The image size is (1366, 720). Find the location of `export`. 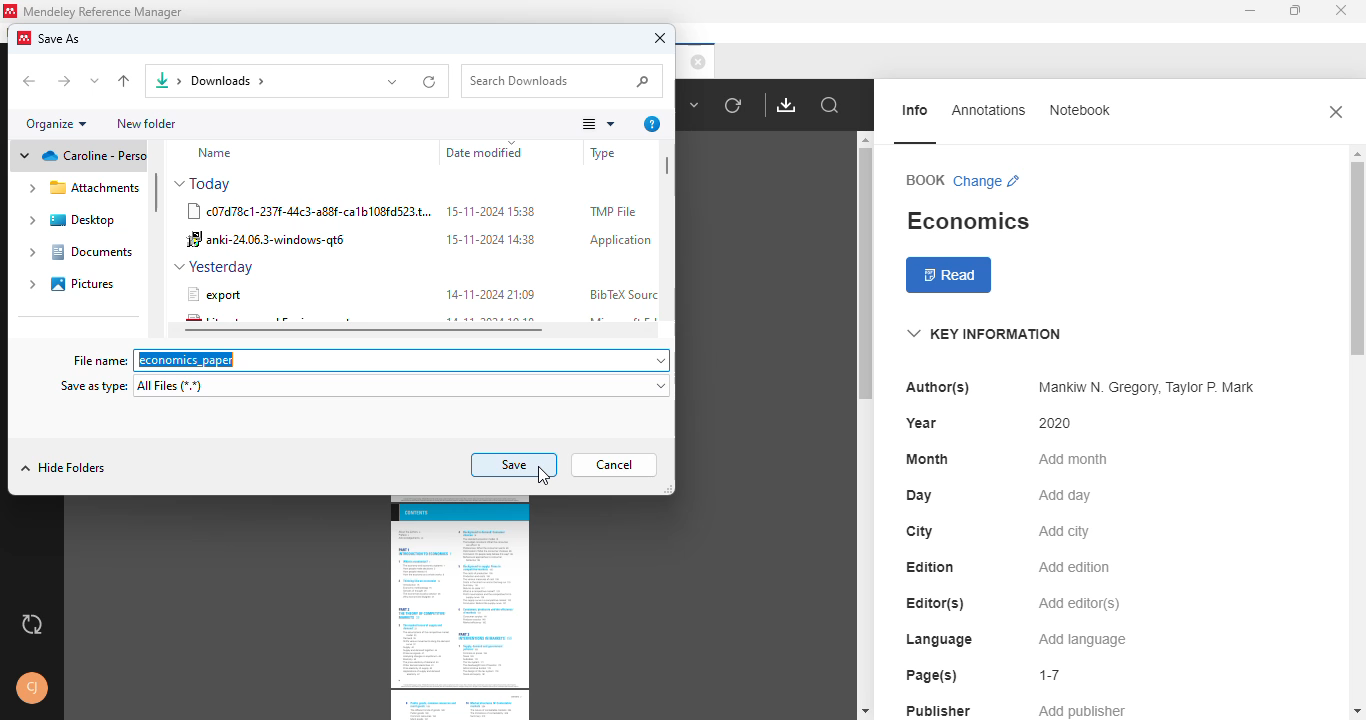

export is located at coordinates (214, 294).